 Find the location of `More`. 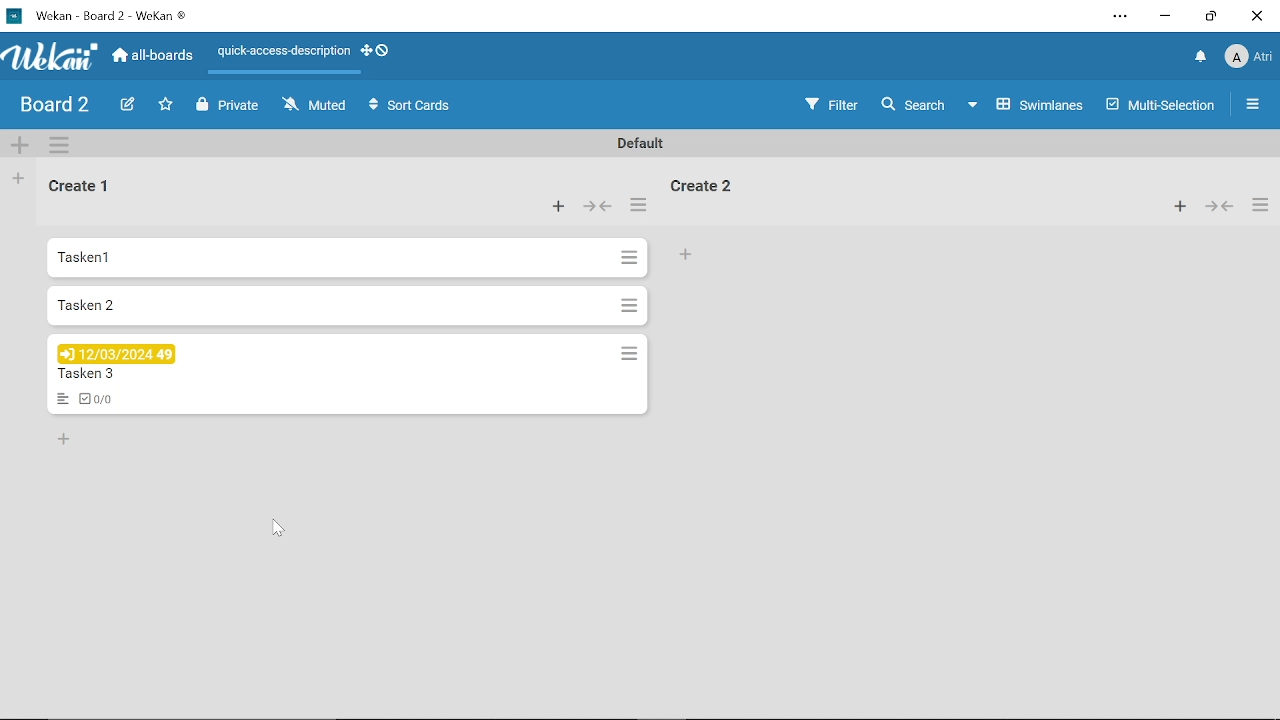

More is located at coordinates (1250, 105).